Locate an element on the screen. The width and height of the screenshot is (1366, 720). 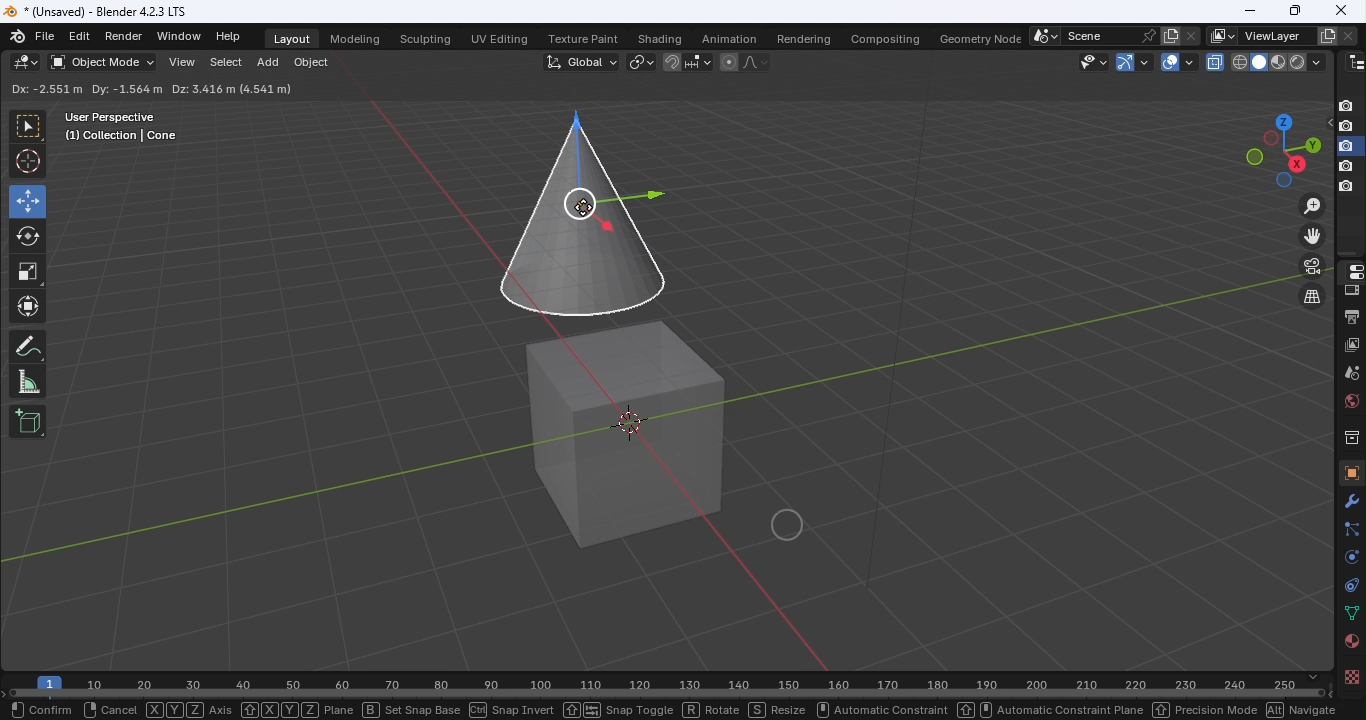
Particles is located at coordinates (1350, 528).